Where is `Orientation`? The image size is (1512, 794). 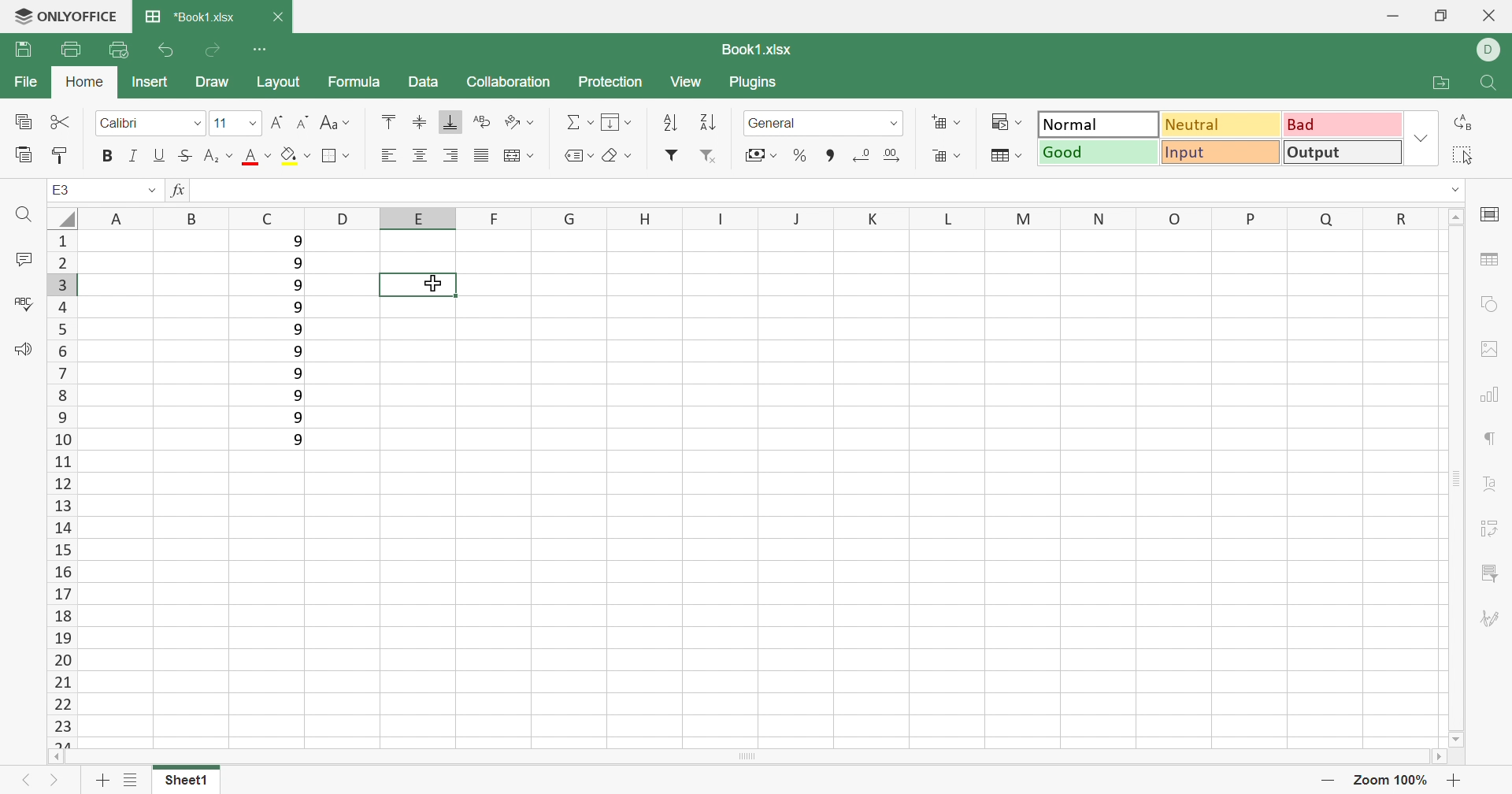 Orientation is located at coordinates (518, 120).